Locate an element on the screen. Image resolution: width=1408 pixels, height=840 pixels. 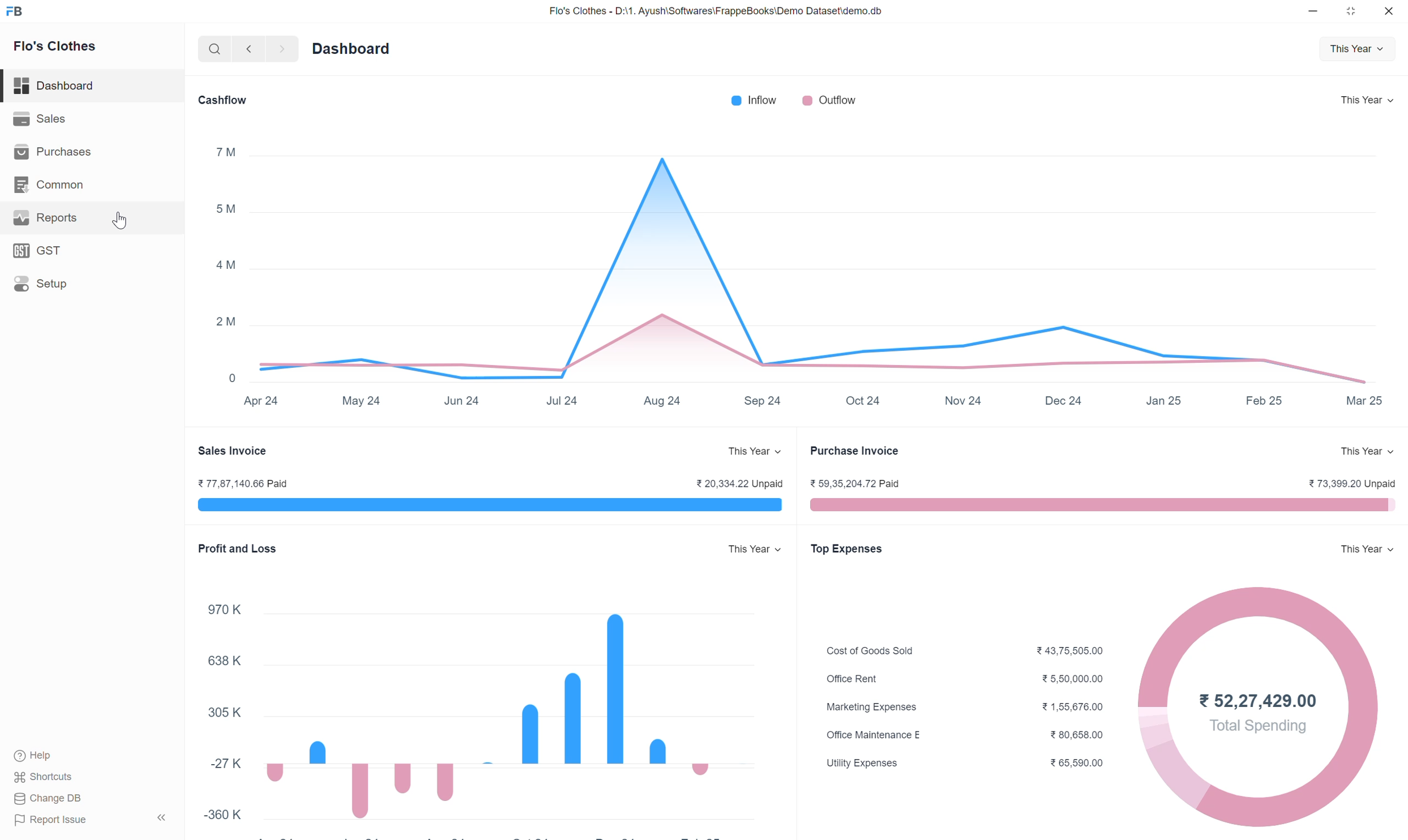
GST is located at coordinates (41, 254).